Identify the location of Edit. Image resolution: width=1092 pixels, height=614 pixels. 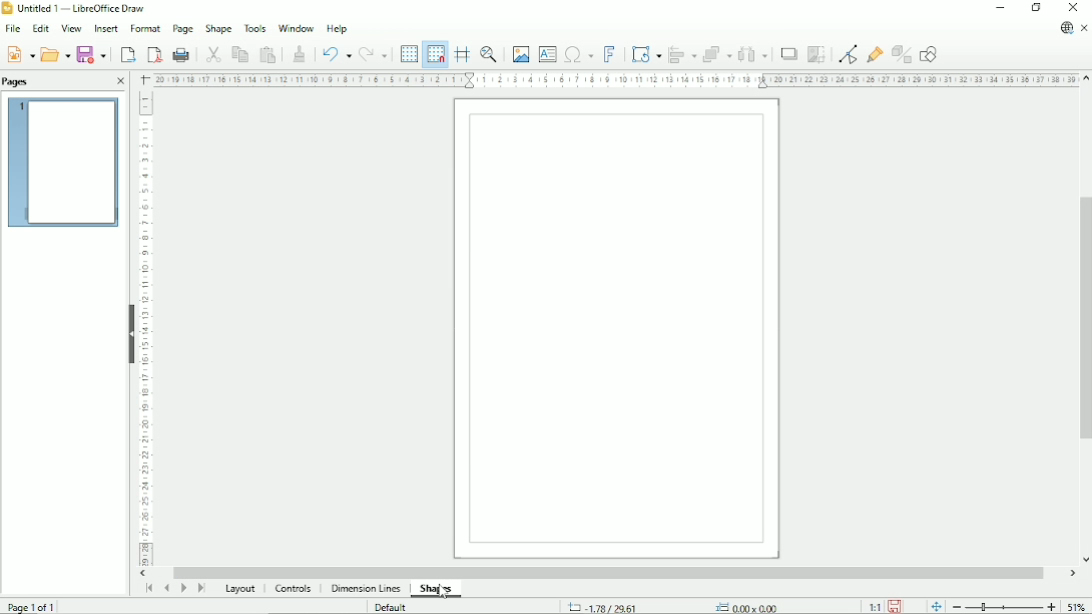
(41, 29).